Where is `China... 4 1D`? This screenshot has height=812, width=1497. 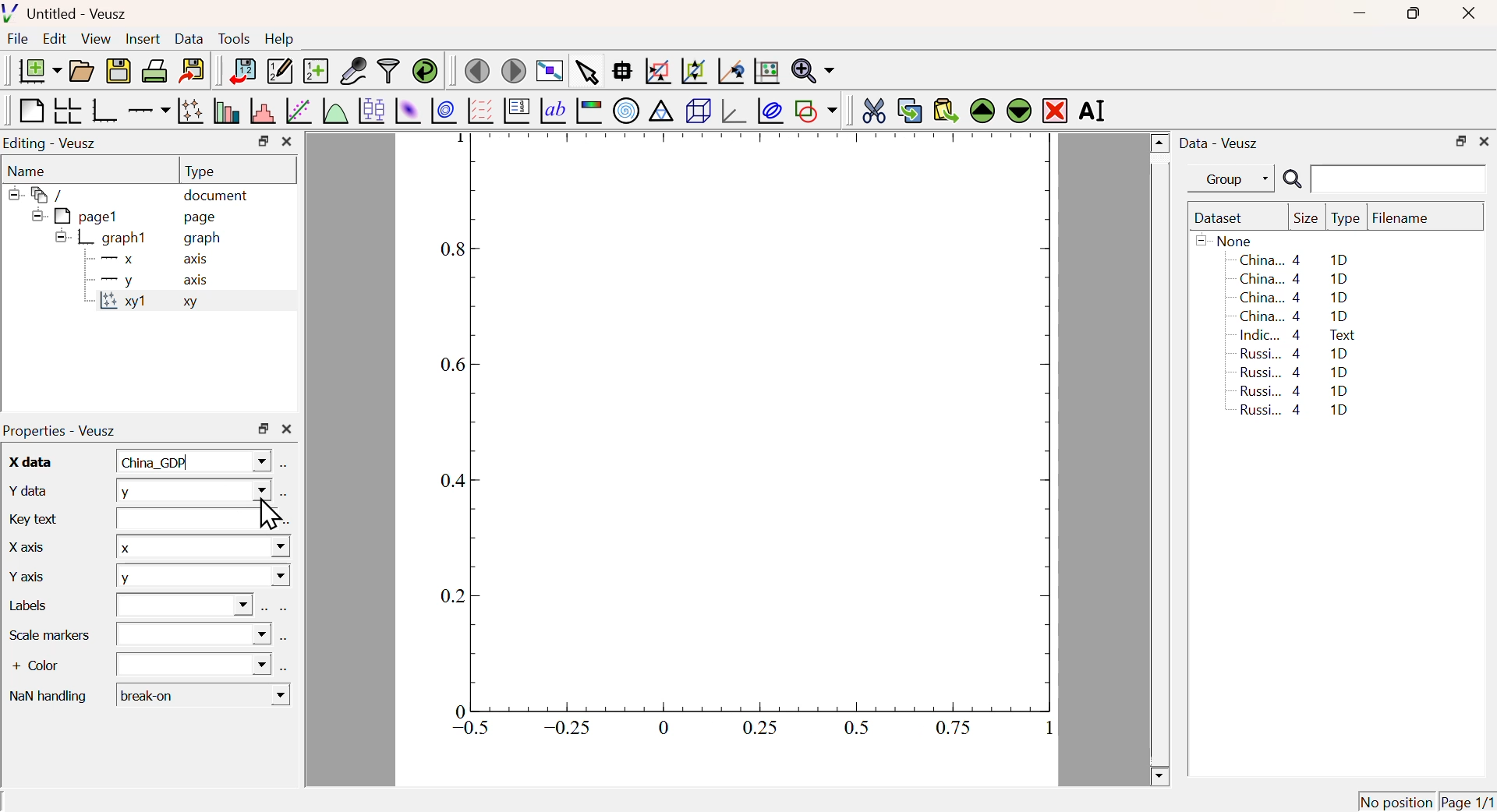 China... 4 1D is located at coordinates (1294, 259).